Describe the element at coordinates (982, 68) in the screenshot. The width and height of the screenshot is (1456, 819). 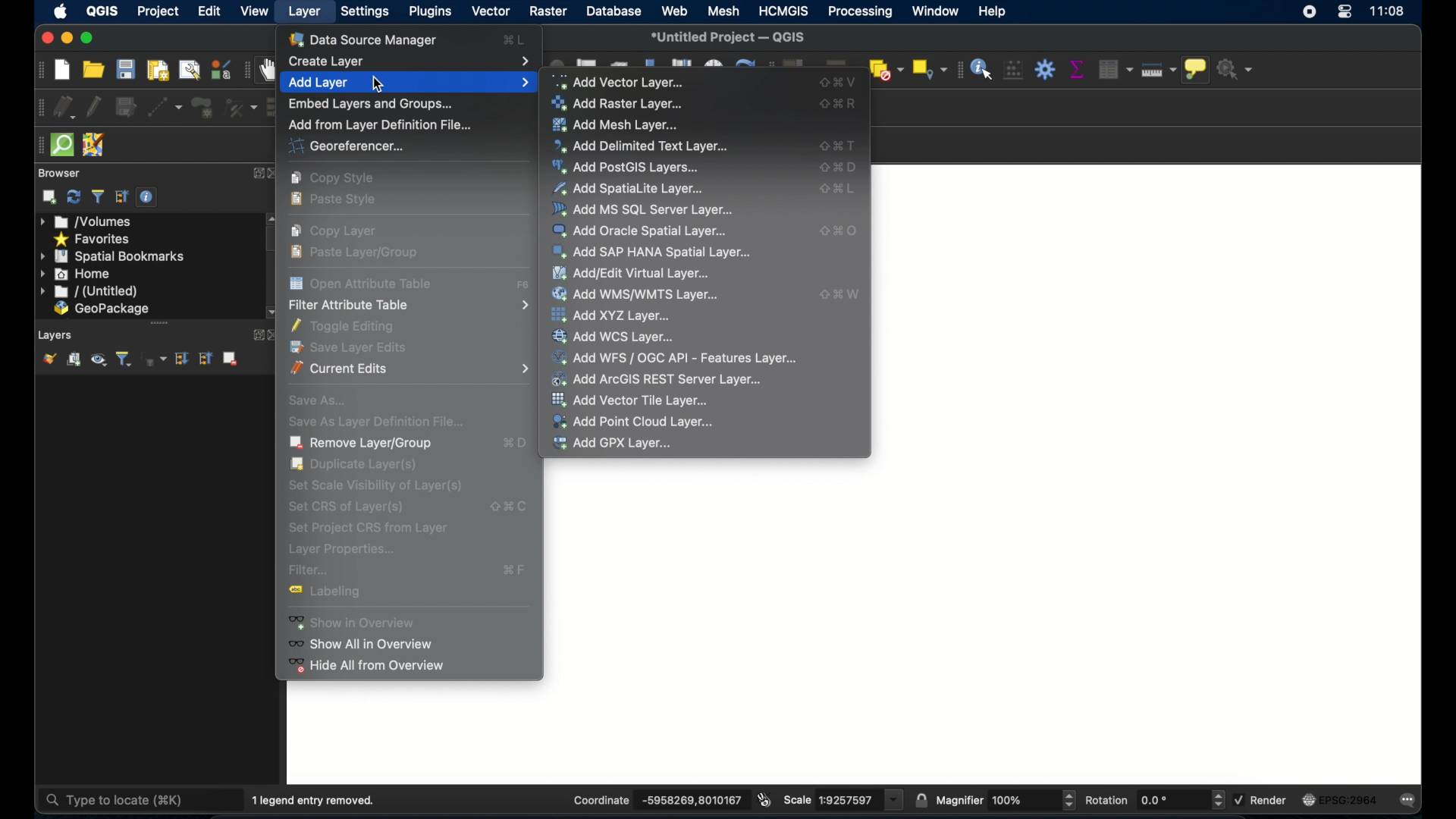
I see `identify features` at that location.